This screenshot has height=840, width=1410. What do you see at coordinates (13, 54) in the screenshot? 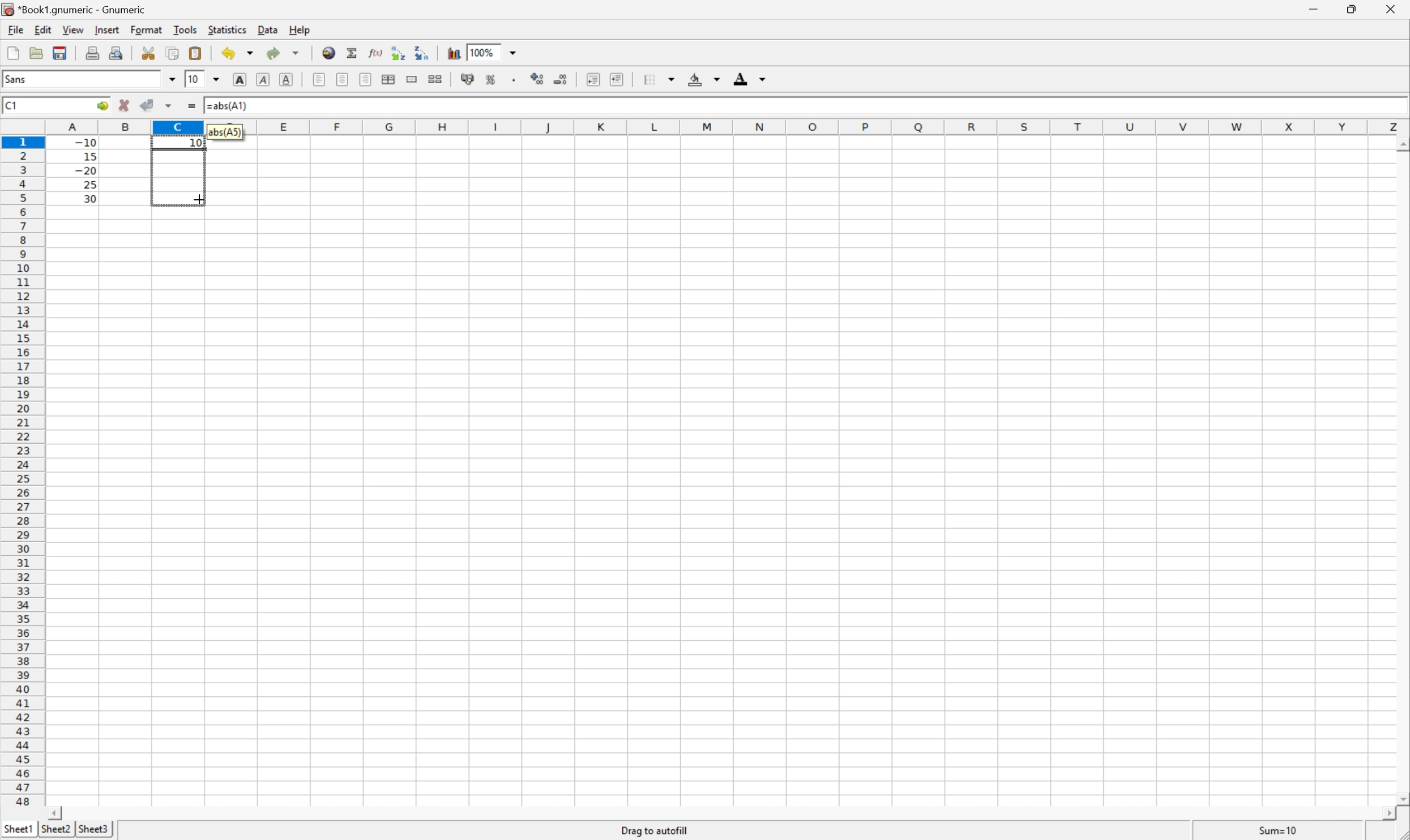
I see `File` at bounding box center [13, 54].